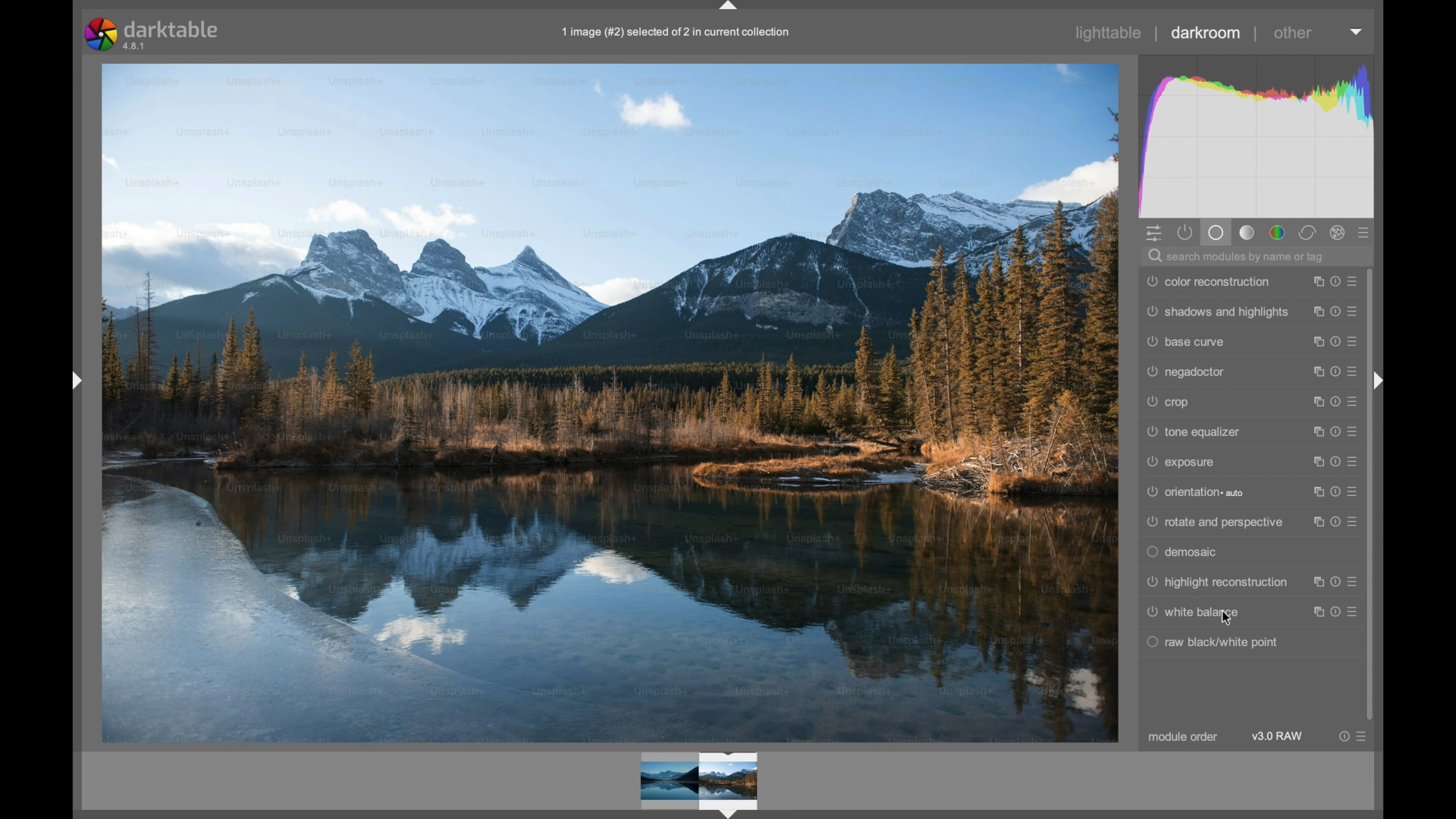  I want to click on presets, so click(1353, 341).